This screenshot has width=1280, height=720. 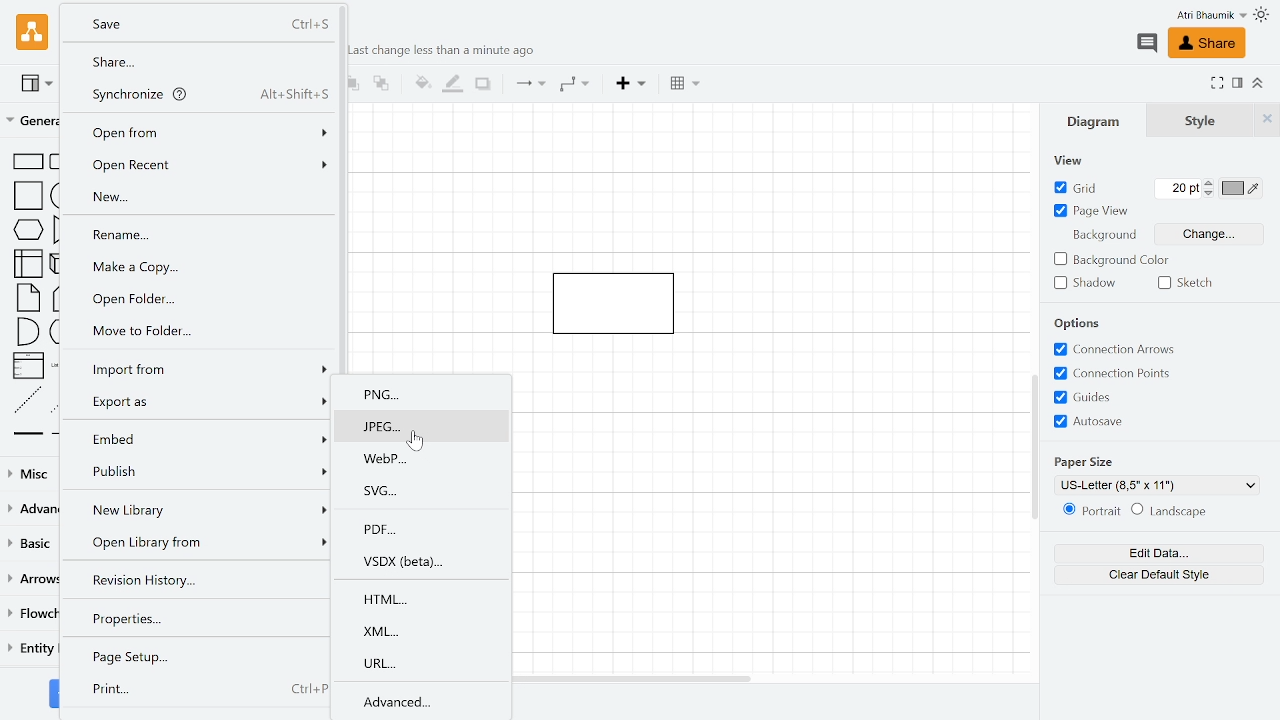 What do you see at coordinates (1090, 510) in the screenshot?
I see `Potrait` at bounding box center [1090, 510].